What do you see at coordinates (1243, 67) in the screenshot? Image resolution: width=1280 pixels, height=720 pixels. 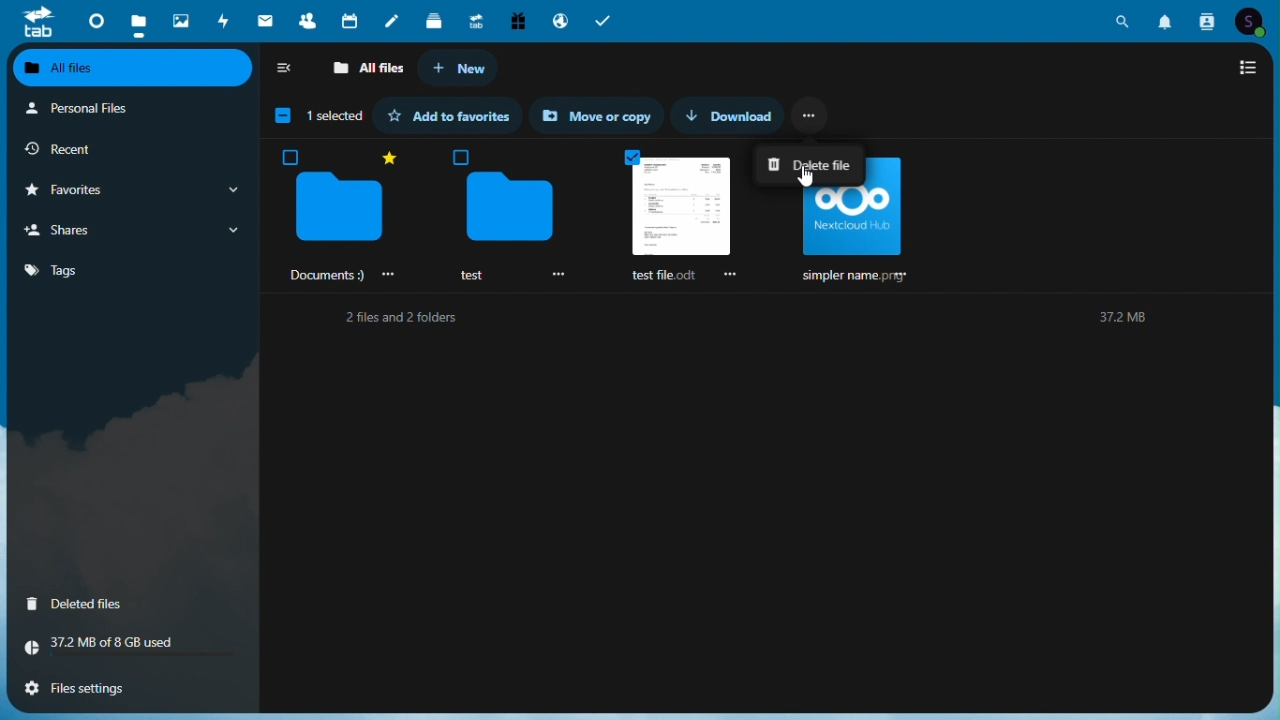 I see `Switch to list view` at bounding box center [1243, 67].